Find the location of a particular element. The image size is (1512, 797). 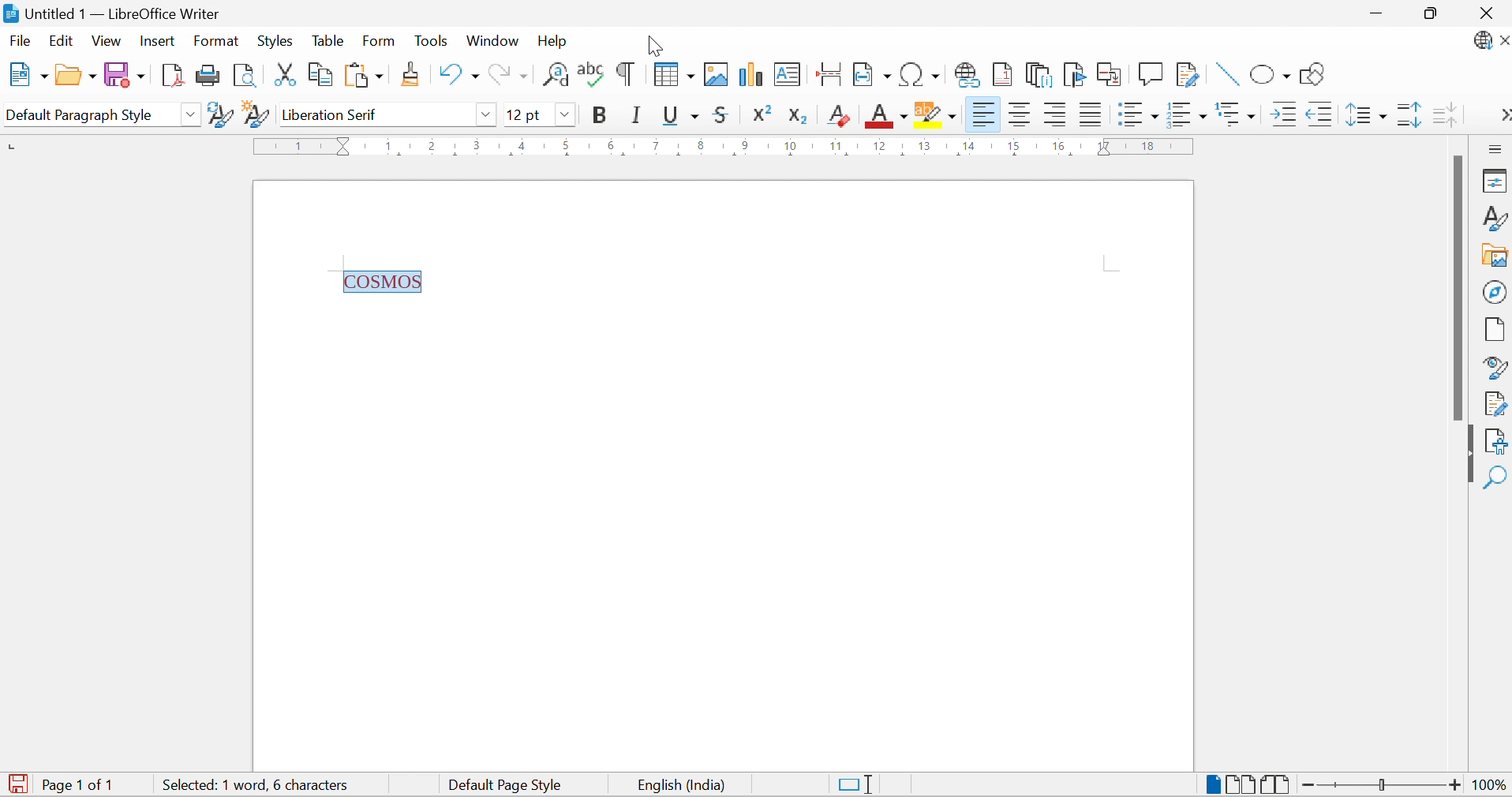

Insert Text Box is located at coordinates (788, 73).